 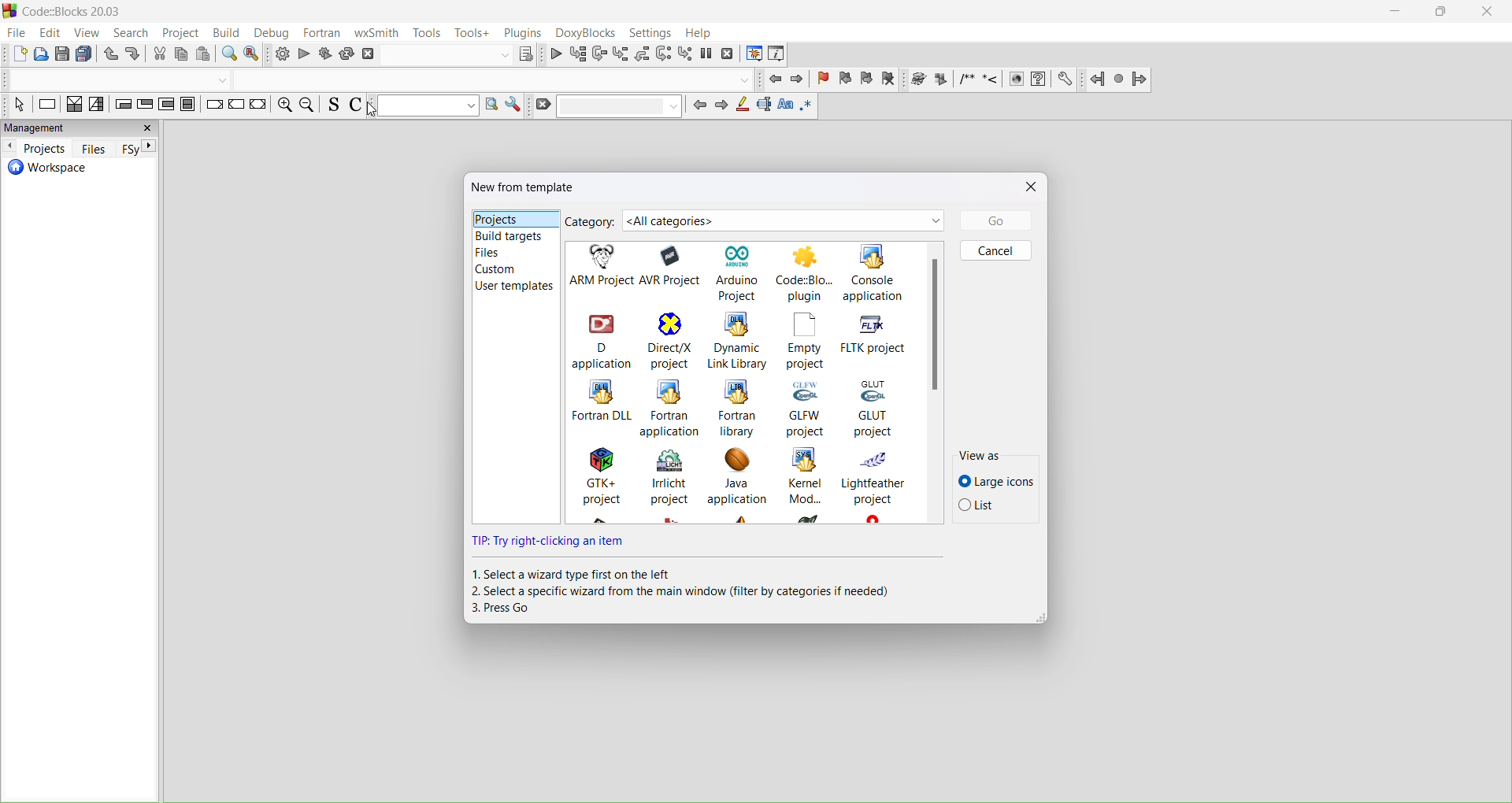 What do you see at coordinates (50, 33) in the screenshot?
I see `edit` at bounding box center [50, 33].